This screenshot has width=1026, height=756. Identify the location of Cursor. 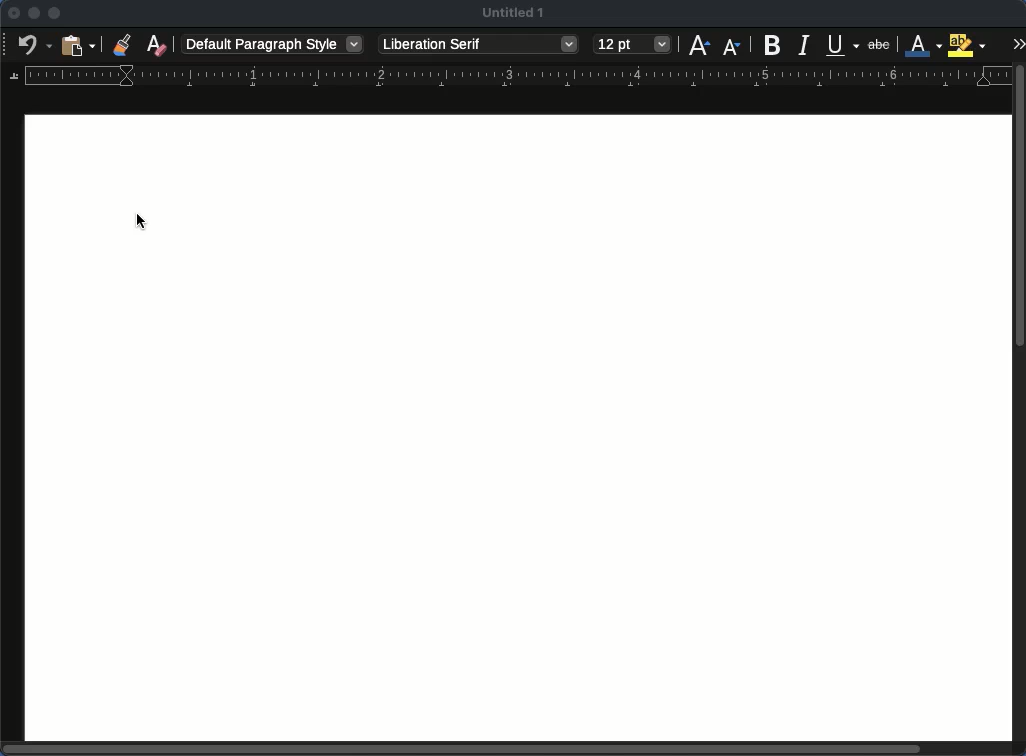
(141, 223).